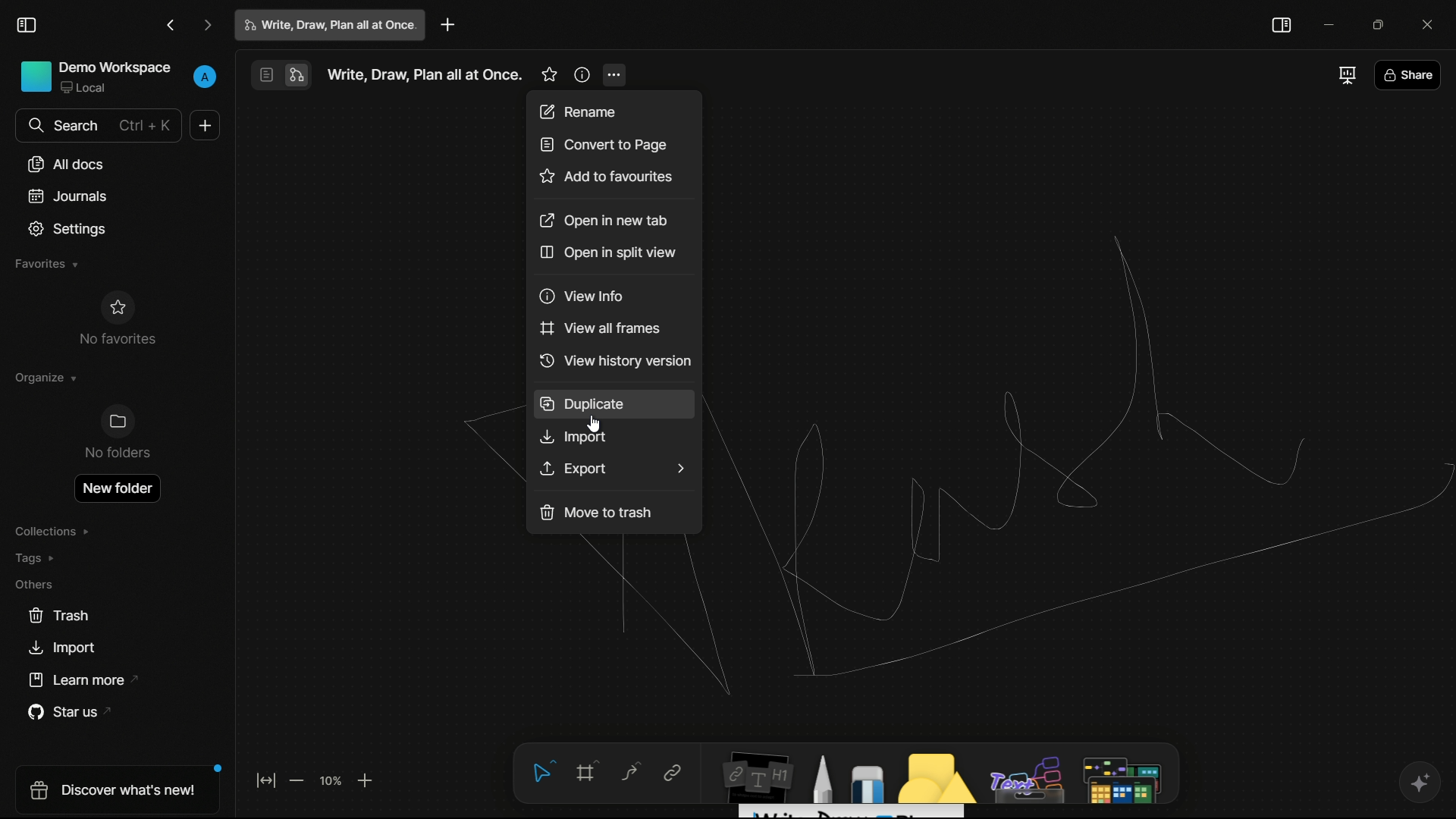  Describe the element at coordinates (331, 780) in the screenshot. I see `zoom factor` at that location.